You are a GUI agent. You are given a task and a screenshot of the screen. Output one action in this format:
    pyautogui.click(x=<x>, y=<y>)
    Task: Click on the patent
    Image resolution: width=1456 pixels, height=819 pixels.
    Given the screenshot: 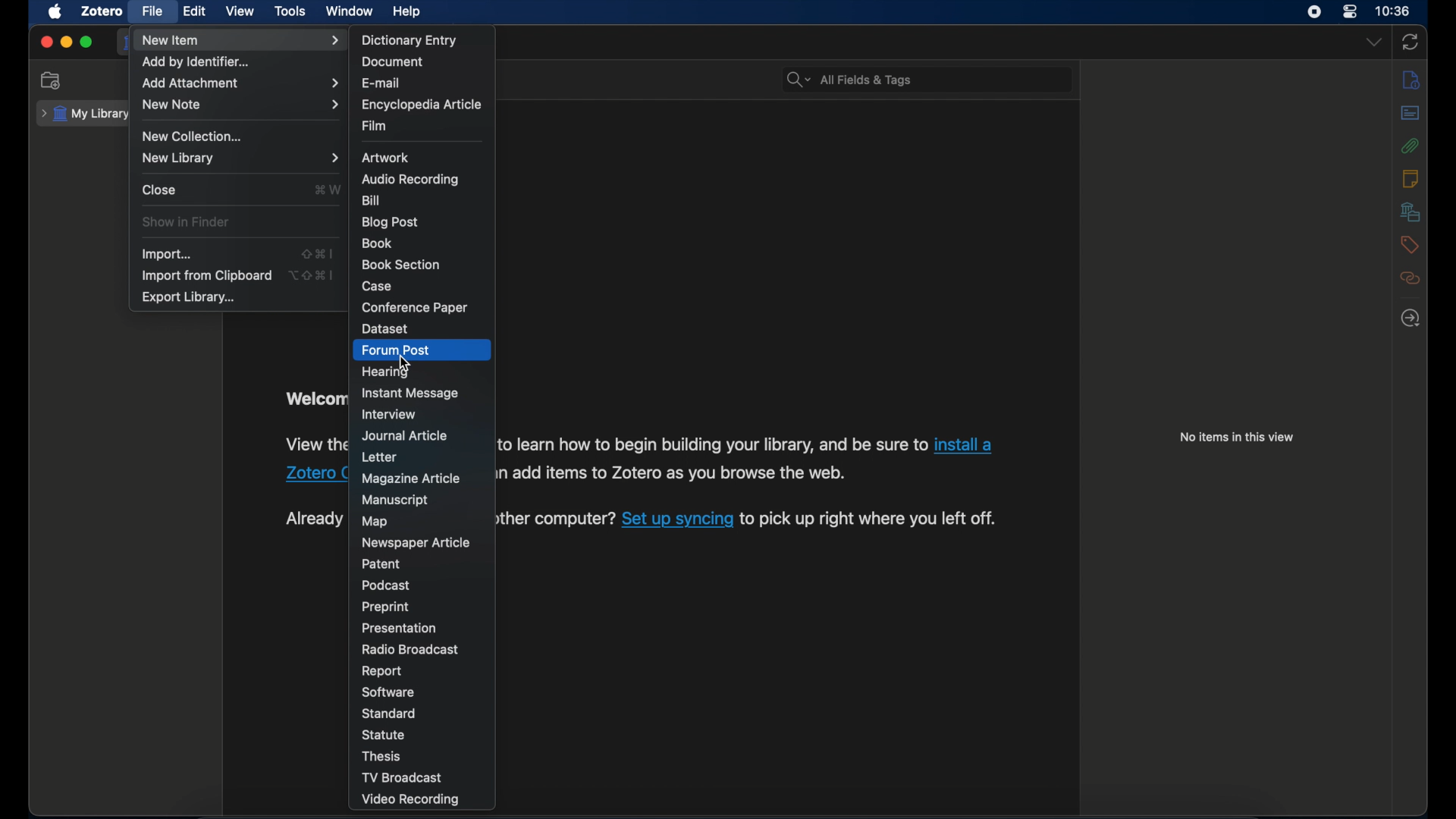 What is the action you would take?
    pyautogui.click(x=381, y=564)
    